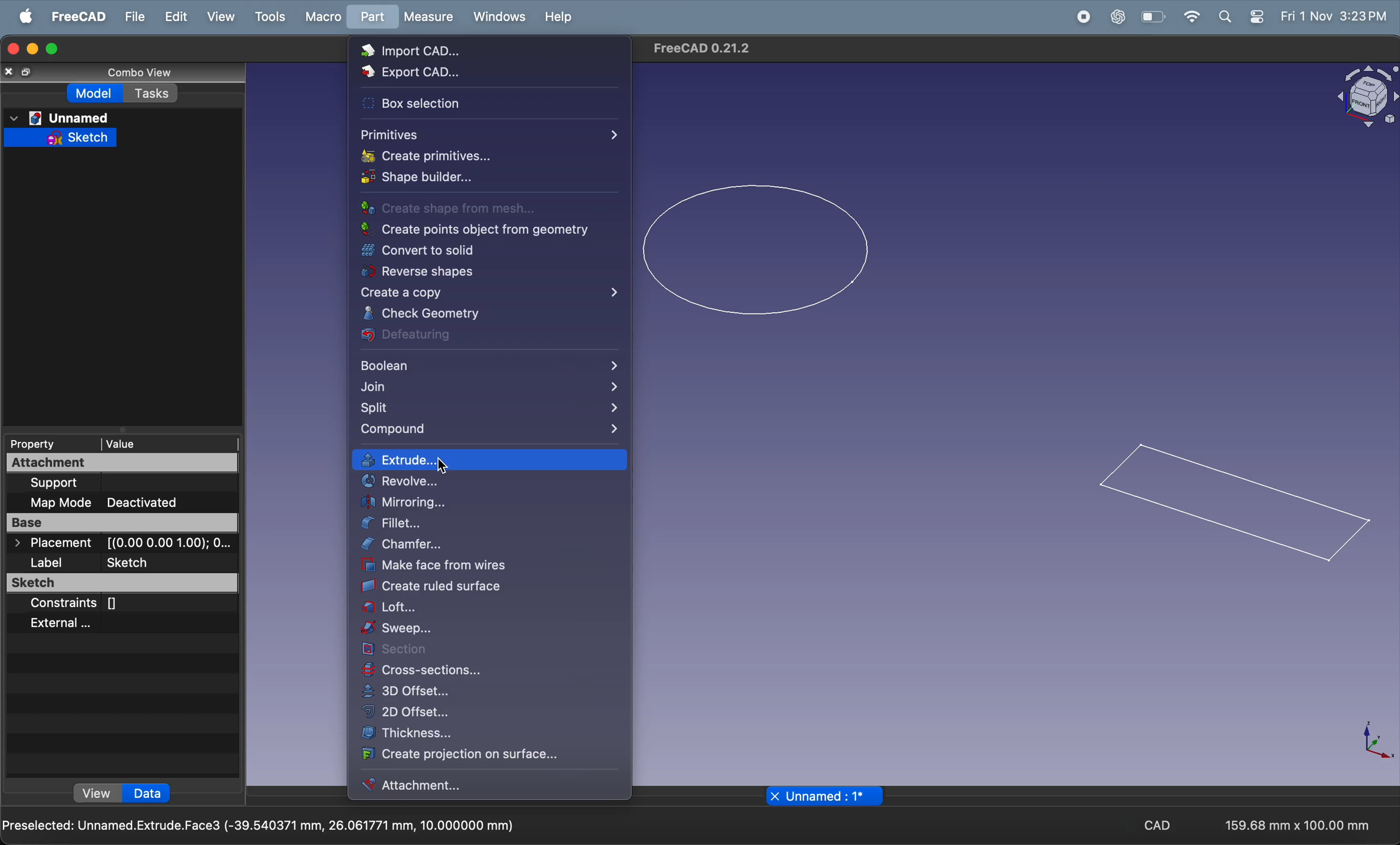 The width and height of the screenshot is (1400, 845). What do you see at coordinates (455, 734) in the screenshot?
I see `Thickness...` at bounding box center [455, 734].